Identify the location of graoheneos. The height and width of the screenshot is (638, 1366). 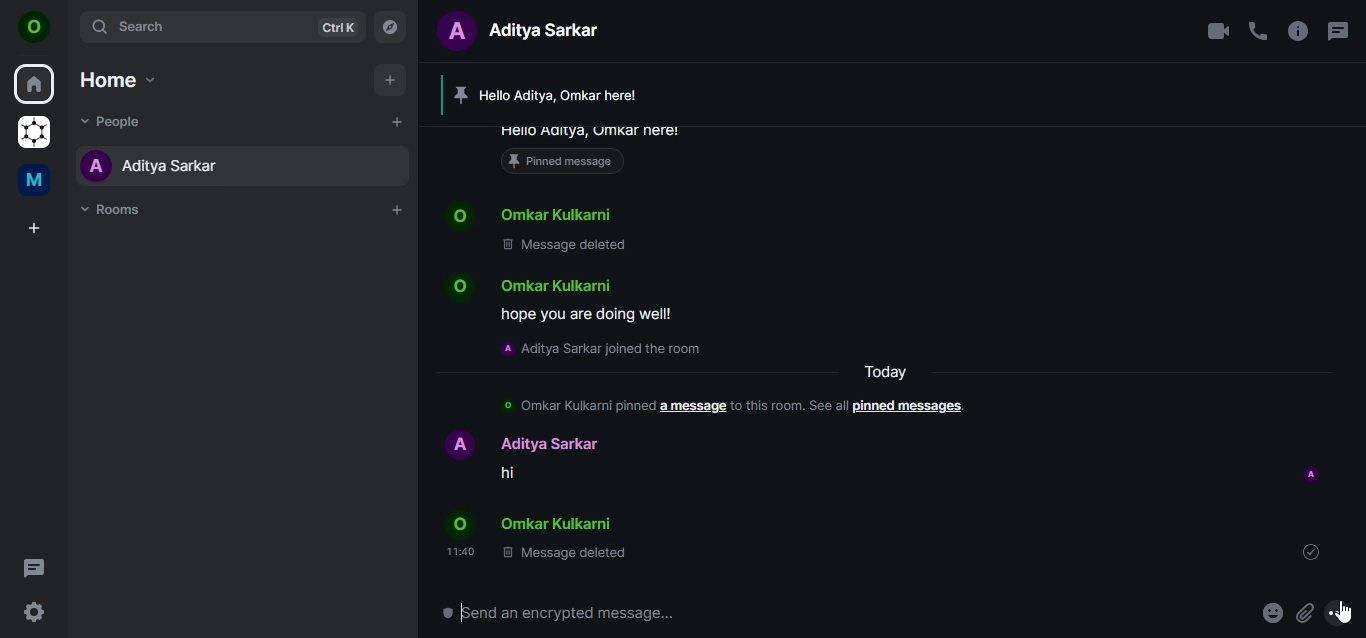
(34, 134).